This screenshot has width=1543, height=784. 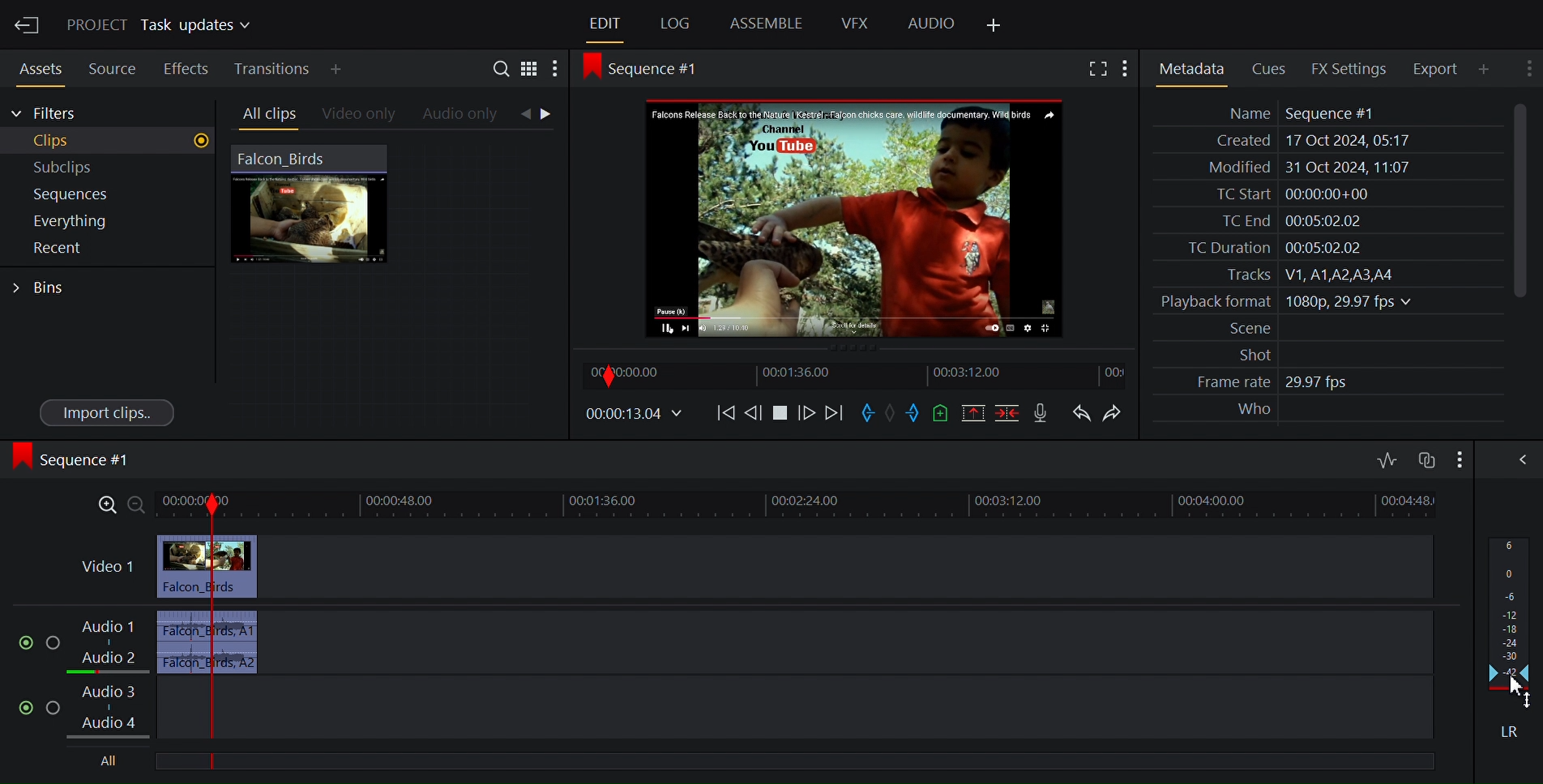 What do you see at coordinates (1242, 329) in the screenshot?
I see `Scene` at bounding box center [1242, 329].